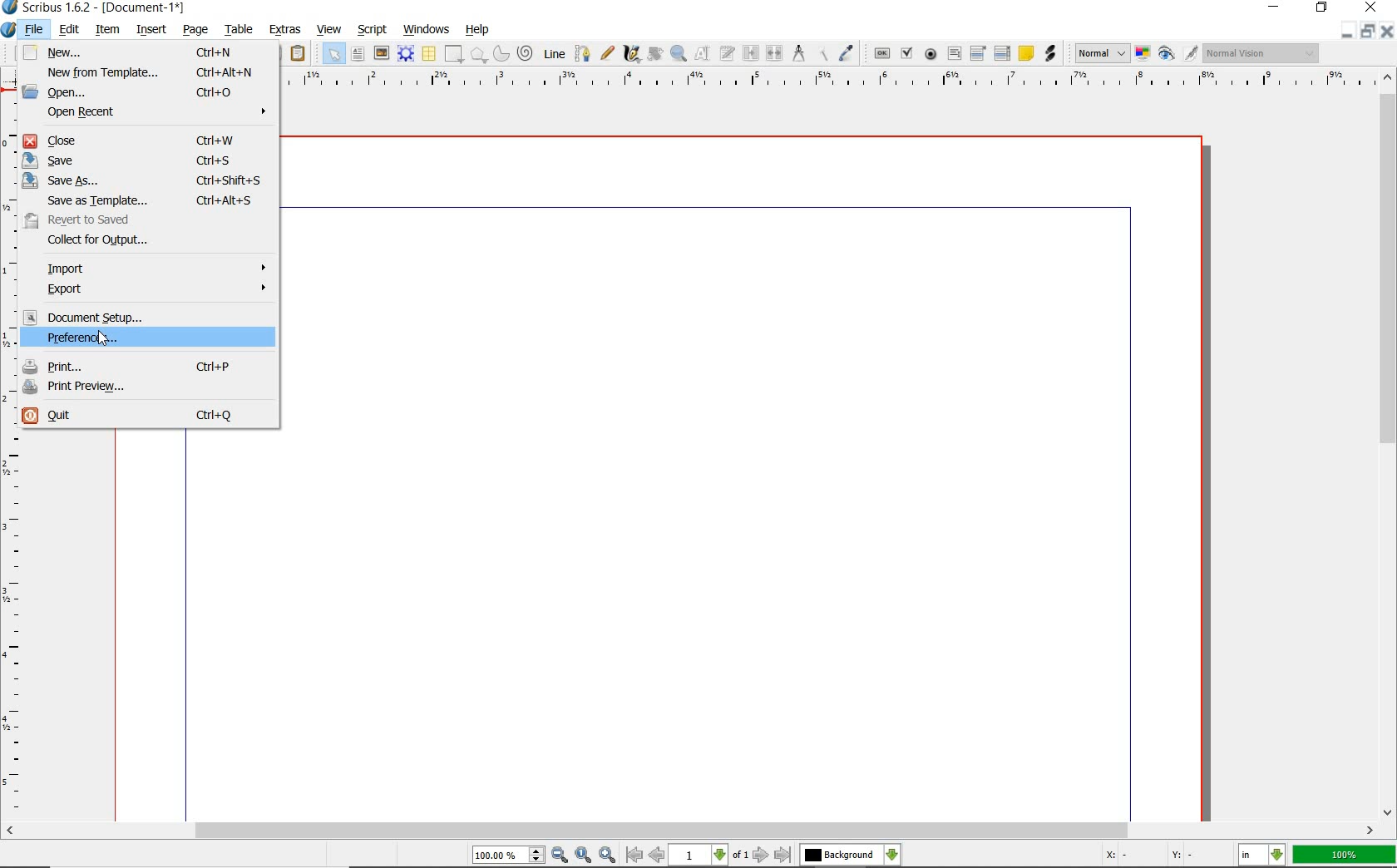 Image resolution: width=1397 pixels, height=868 pixels. What do you see at coordinates (501, 53) in the screenshot?
I see `arc` at bounding box center [501, 53].